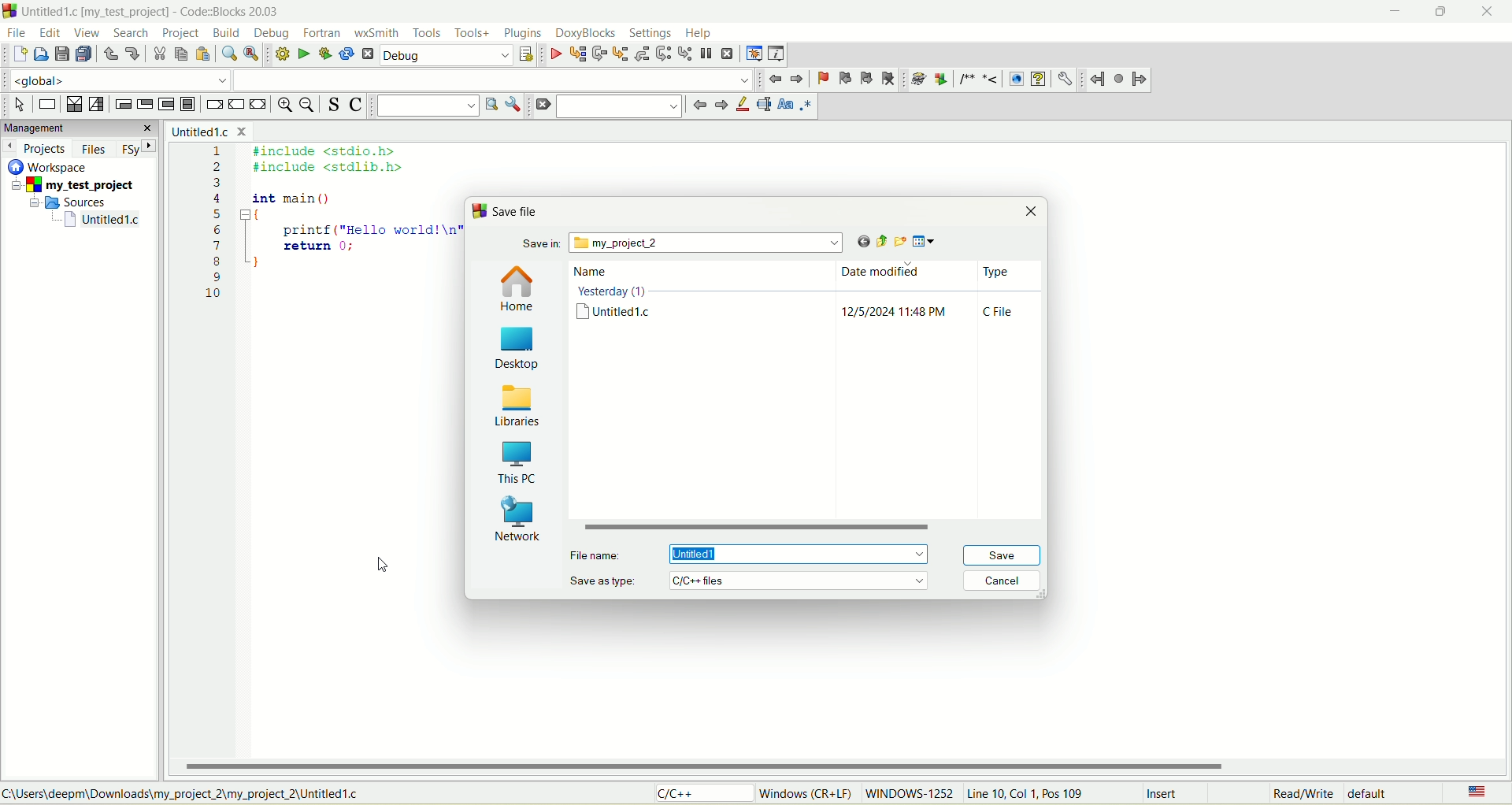 Image resolution: width=1512 pixels, height=805 pixels. Describe the element at coordinates (369, 57) in the screenshot. I see `abort` at that location.